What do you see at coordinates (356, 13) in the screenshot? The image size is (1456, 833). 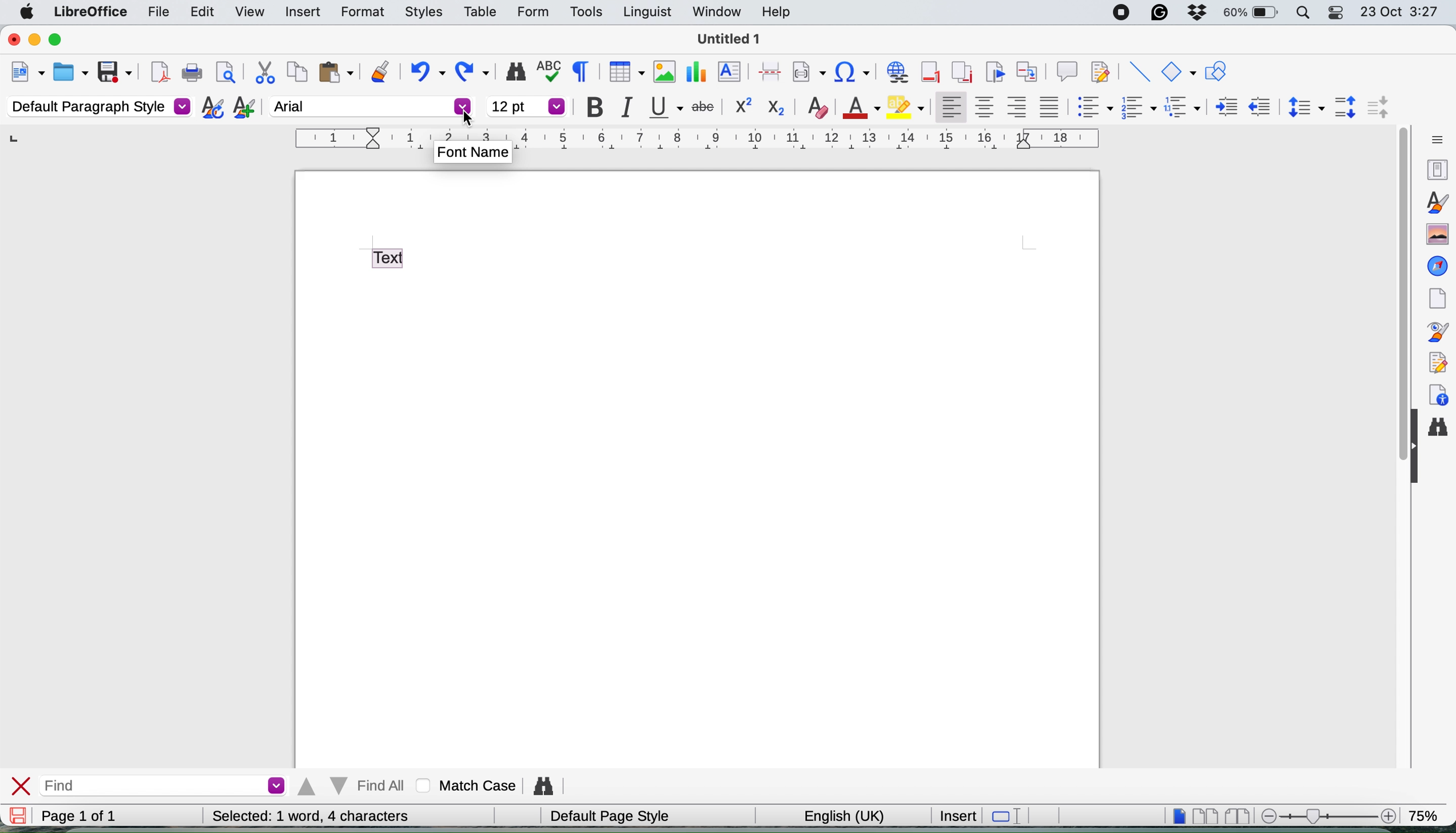 I see `format` at bounding box center [356, 13].